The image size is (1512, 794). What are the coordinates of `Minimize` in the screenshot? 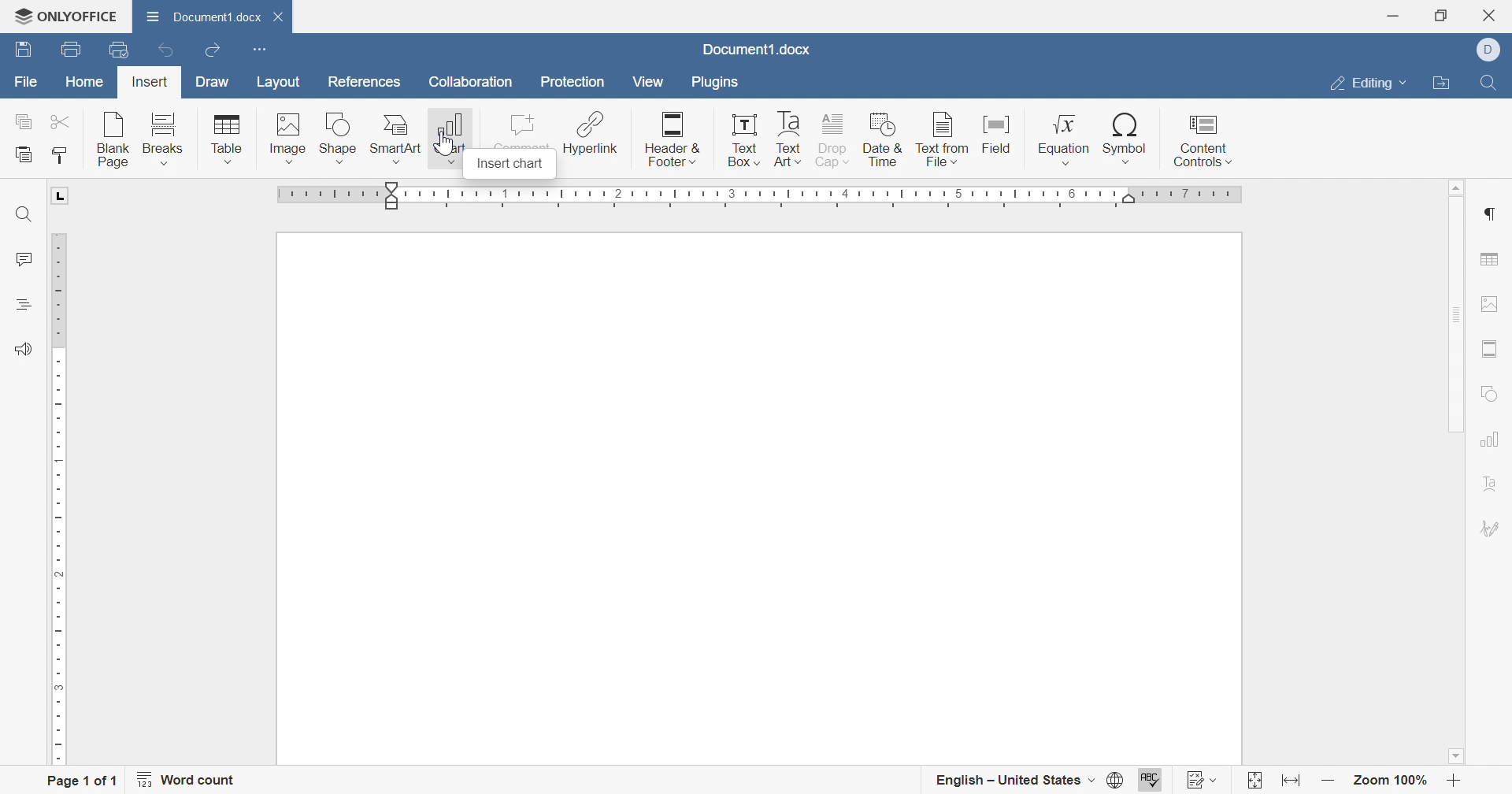 It's located at (1393, 17).